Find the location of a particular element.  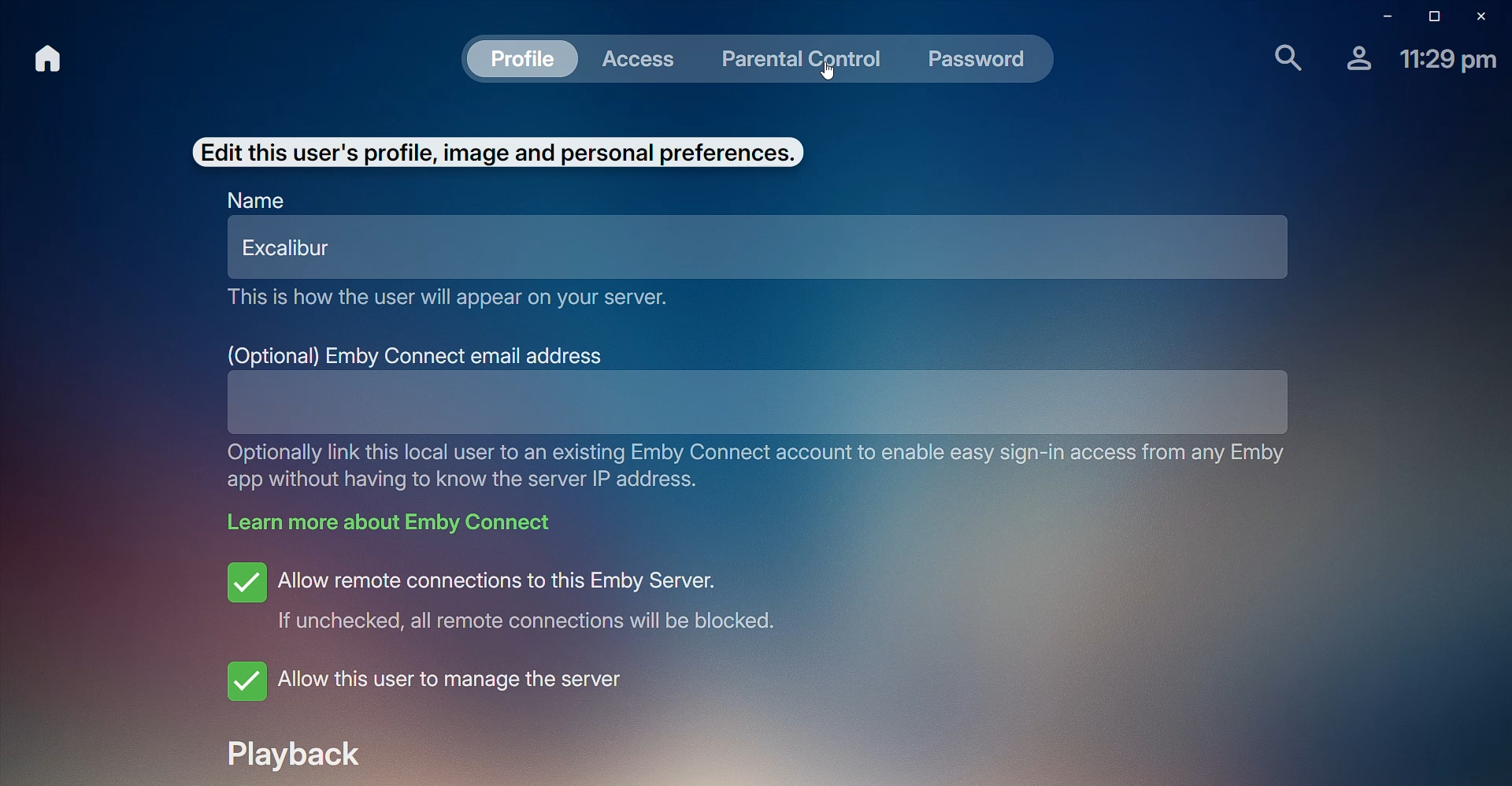

Tick is located at coordinates (246, 581).